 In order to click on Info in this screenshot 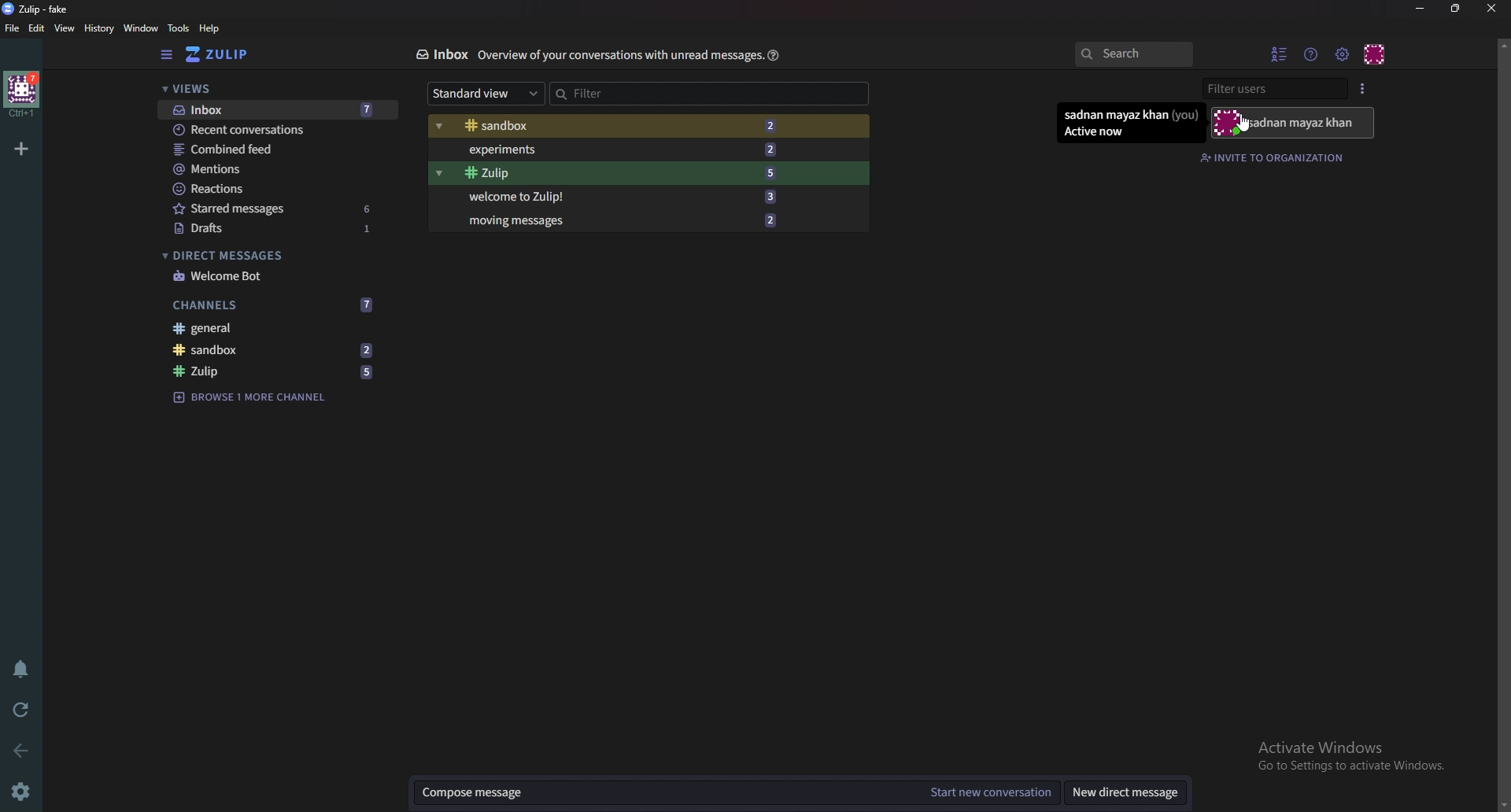, I will do `click(619, 56)`.